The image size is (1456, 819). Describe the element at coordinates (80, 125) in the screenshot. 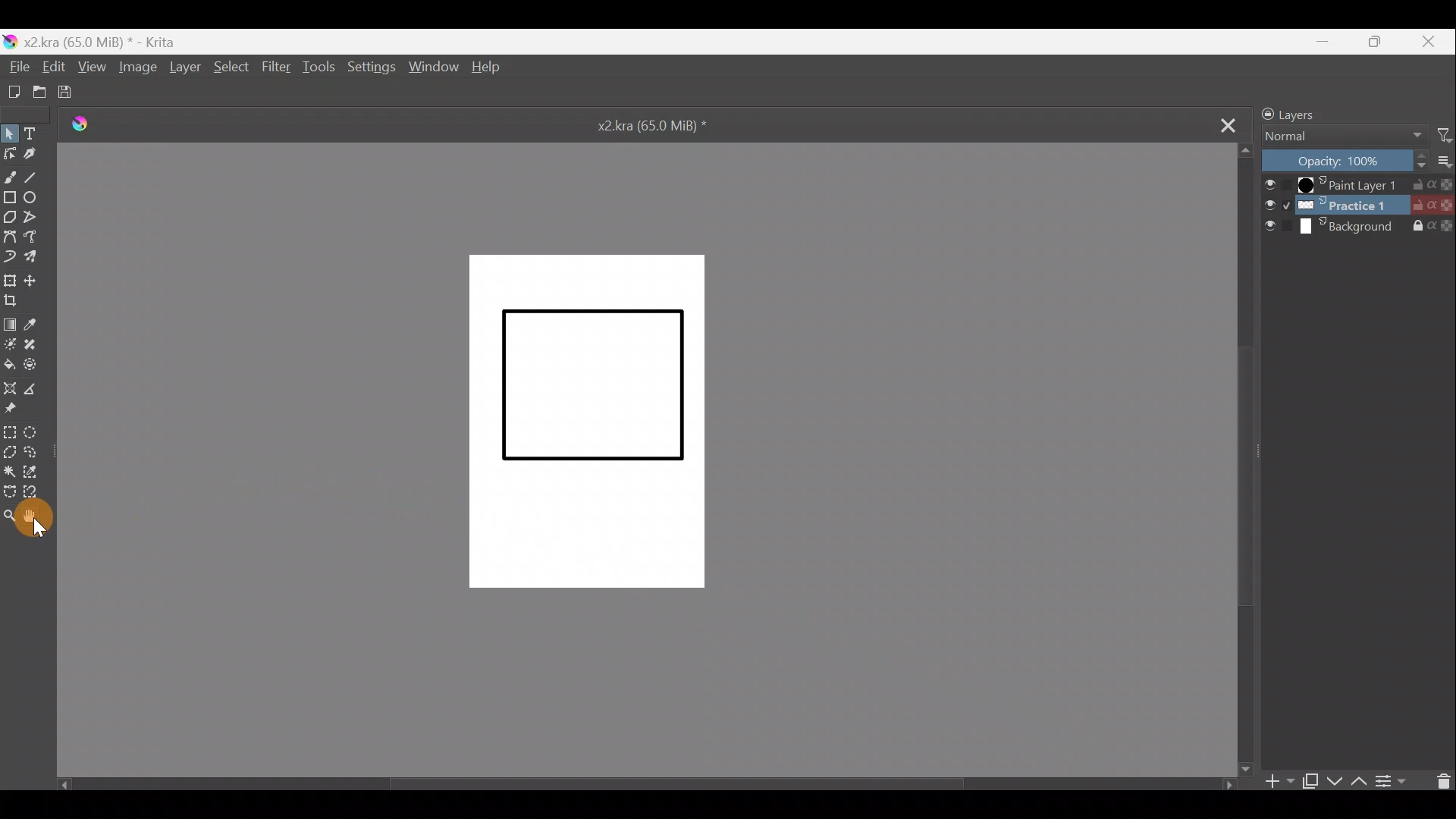

I see `Logo` at that location.